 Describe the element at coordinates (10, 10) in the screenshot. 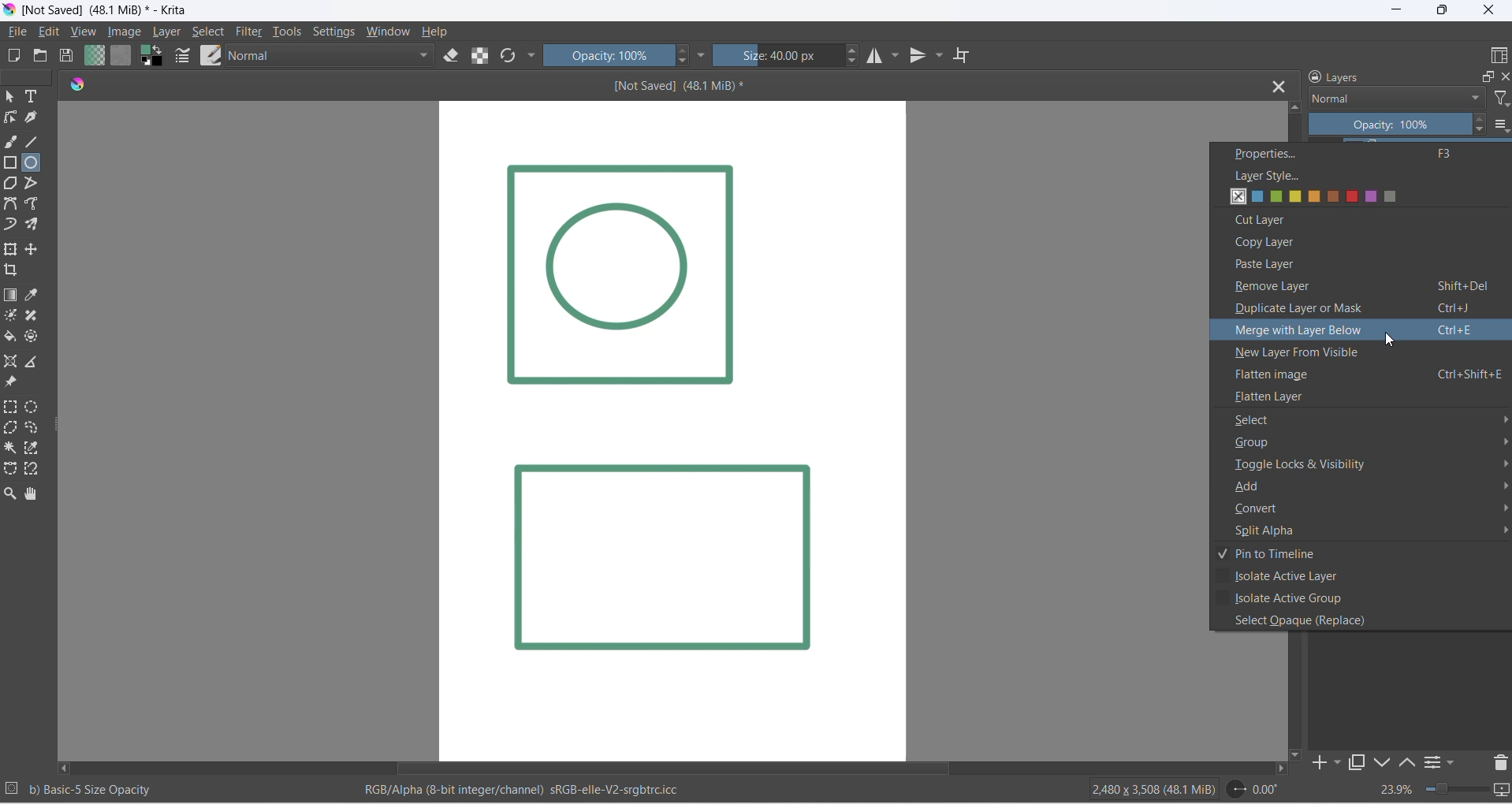

I see `app icon` at that location.